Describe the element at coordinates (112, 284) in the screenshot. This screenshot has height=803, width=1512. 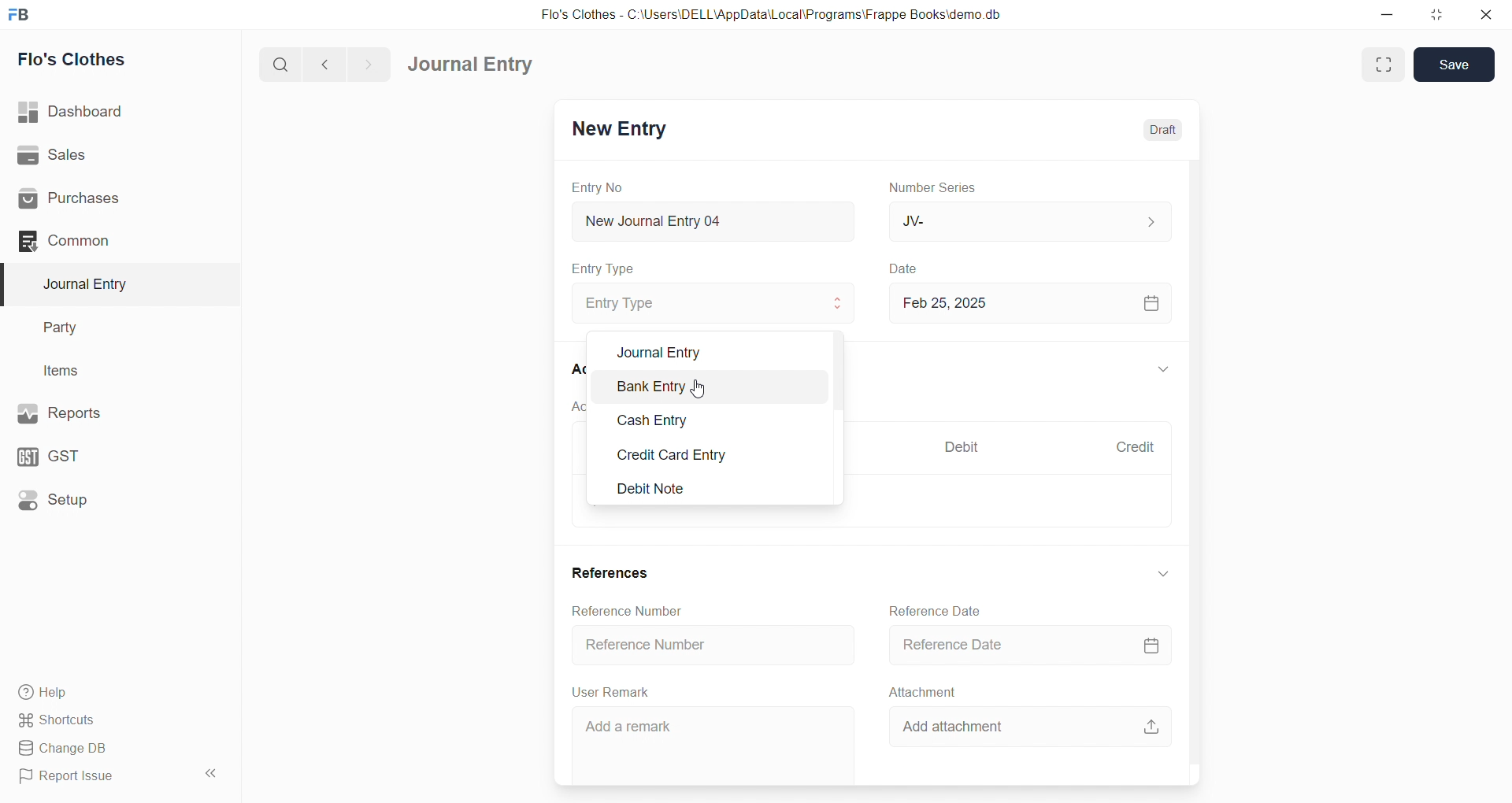
I see `Journal Entry` at that location.